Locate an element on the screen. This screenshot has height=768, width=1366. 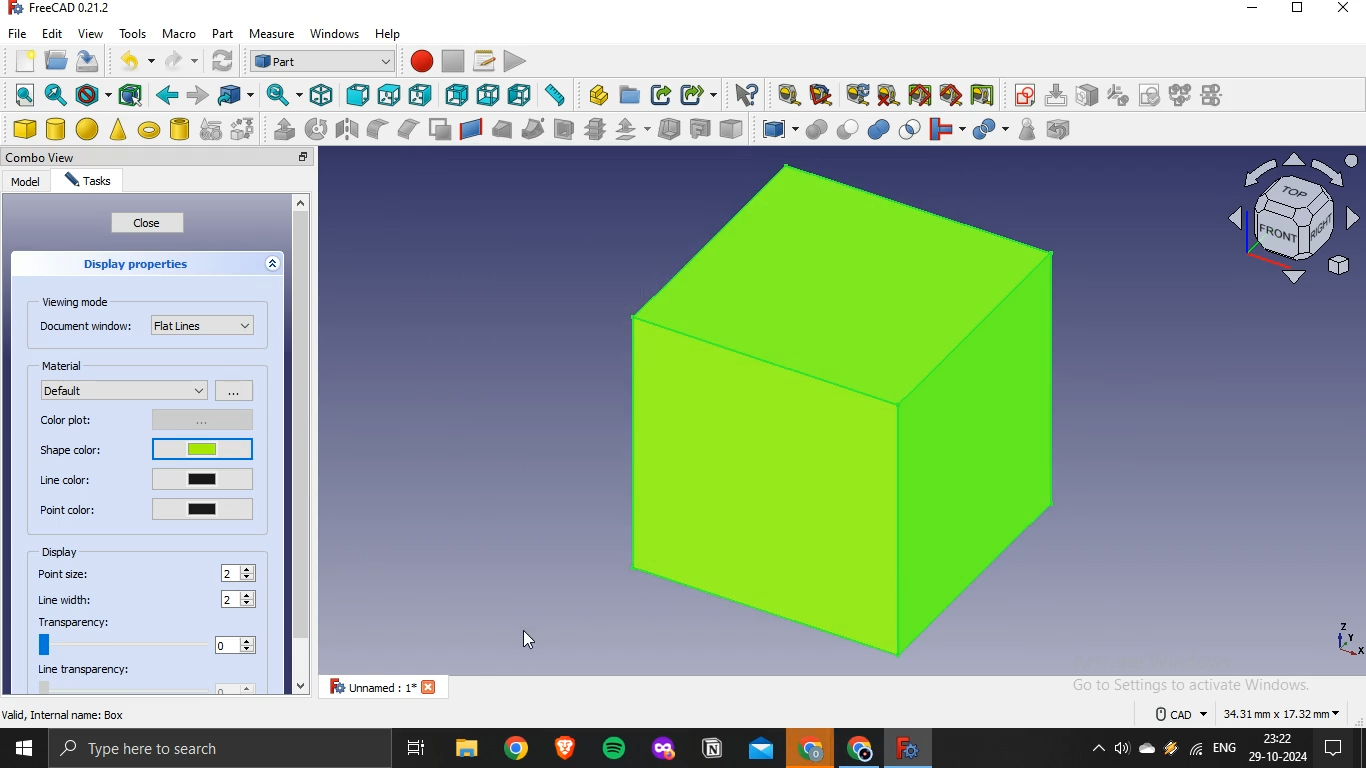
color plot is located at coordinates (143, 418).